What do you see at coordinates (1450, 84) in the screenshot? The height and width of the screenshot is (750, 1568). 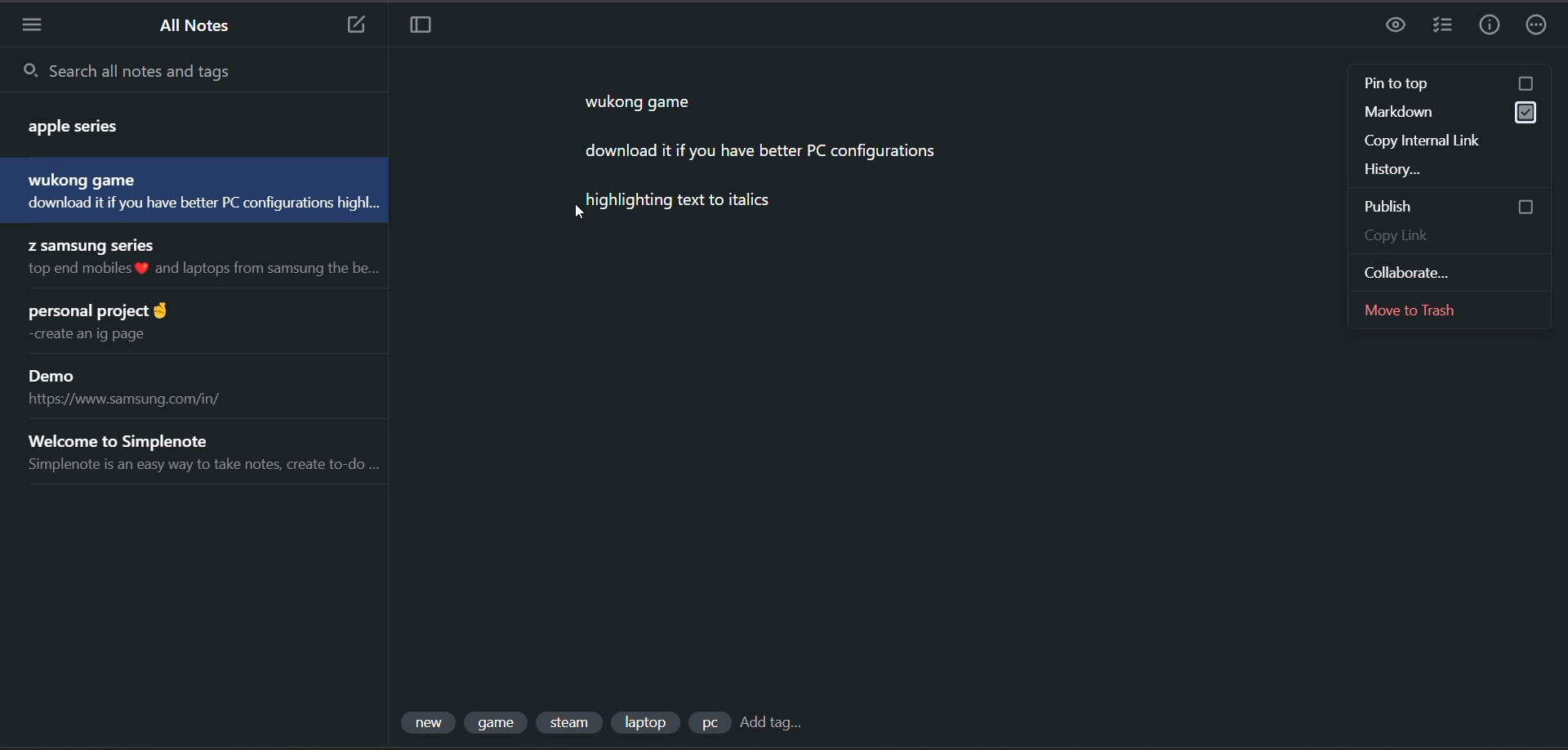 I see `pin to top` at bounding box center [1450, 84].